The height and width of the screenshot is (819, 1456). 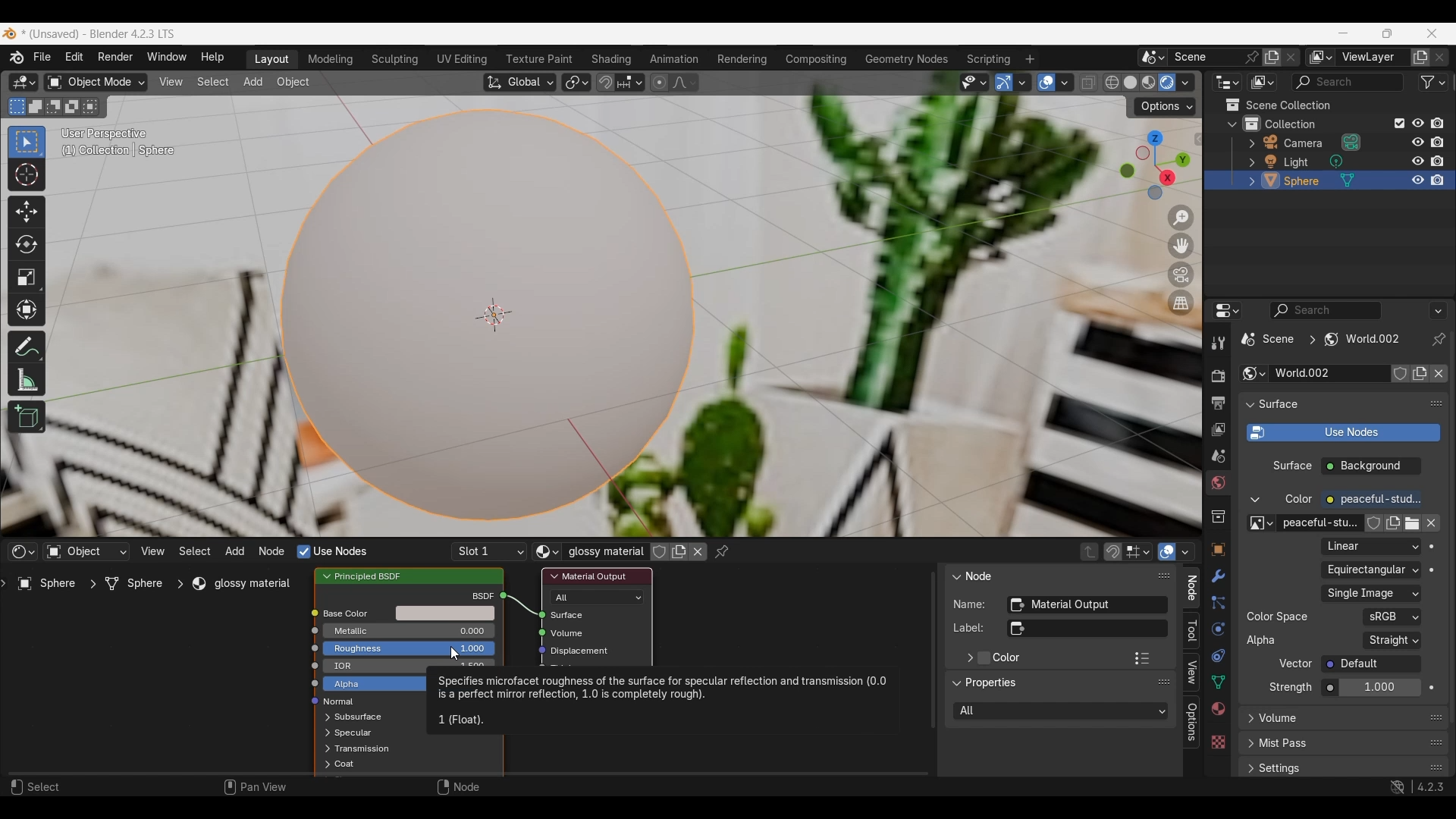 I want to click on Render properties, so click(x=1217, y=375).